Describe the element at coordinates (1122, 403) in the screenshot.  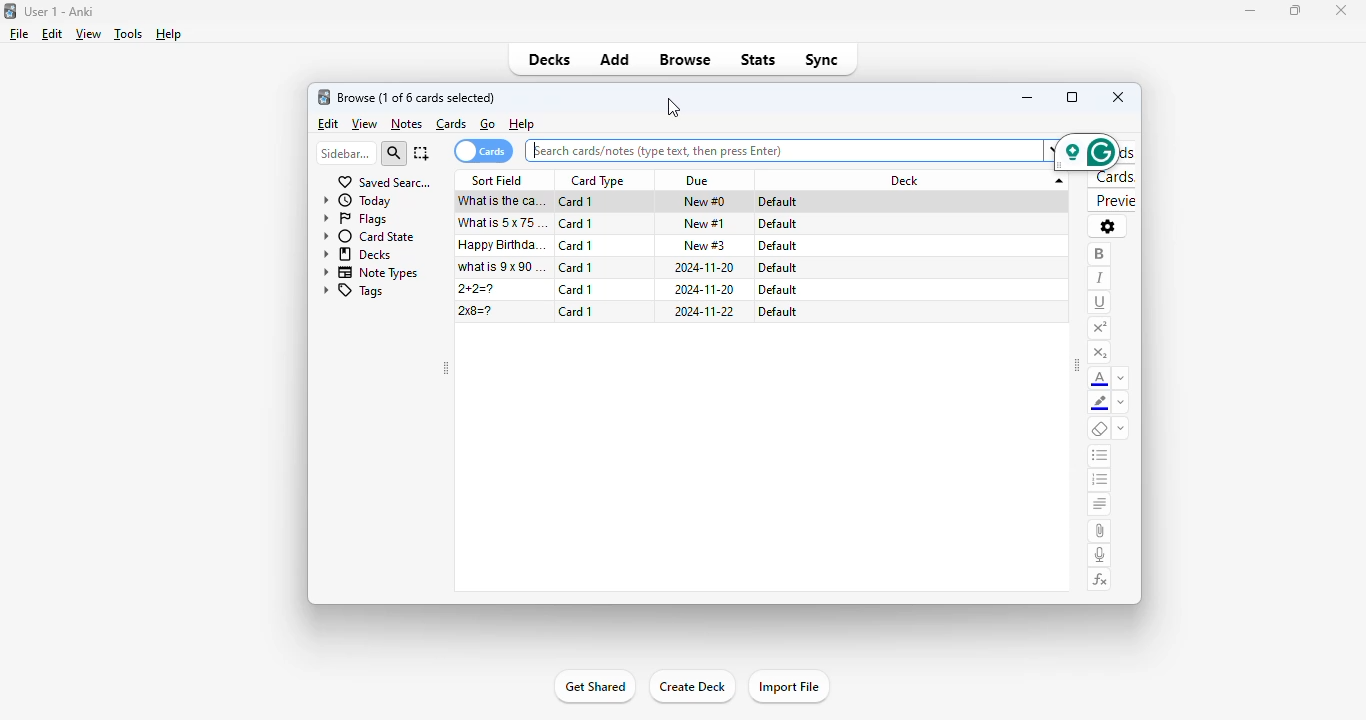
I see `change color` at that location.